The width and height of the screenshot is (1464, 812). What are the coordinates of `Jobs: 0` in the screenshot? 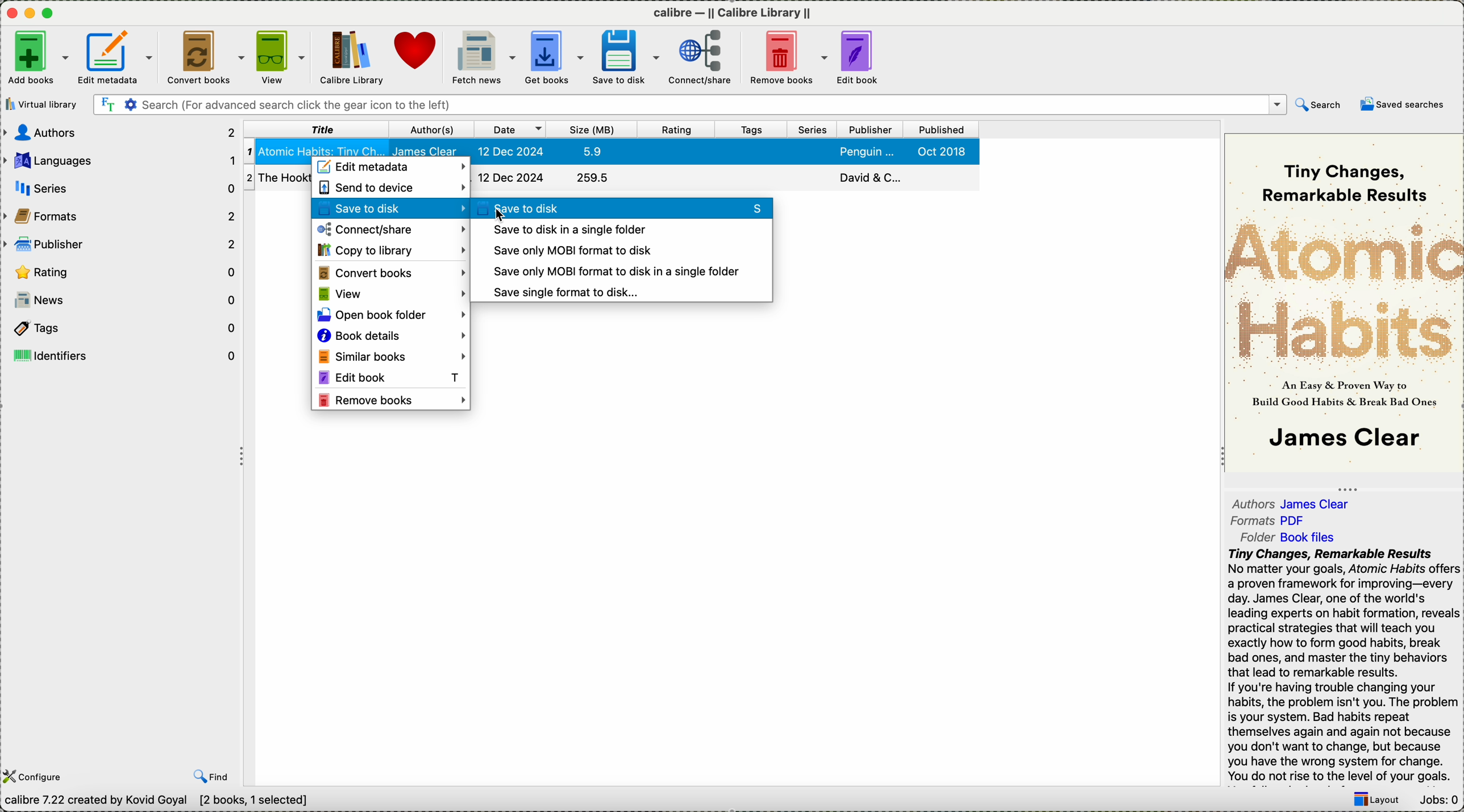 It's located at (1442, 801).